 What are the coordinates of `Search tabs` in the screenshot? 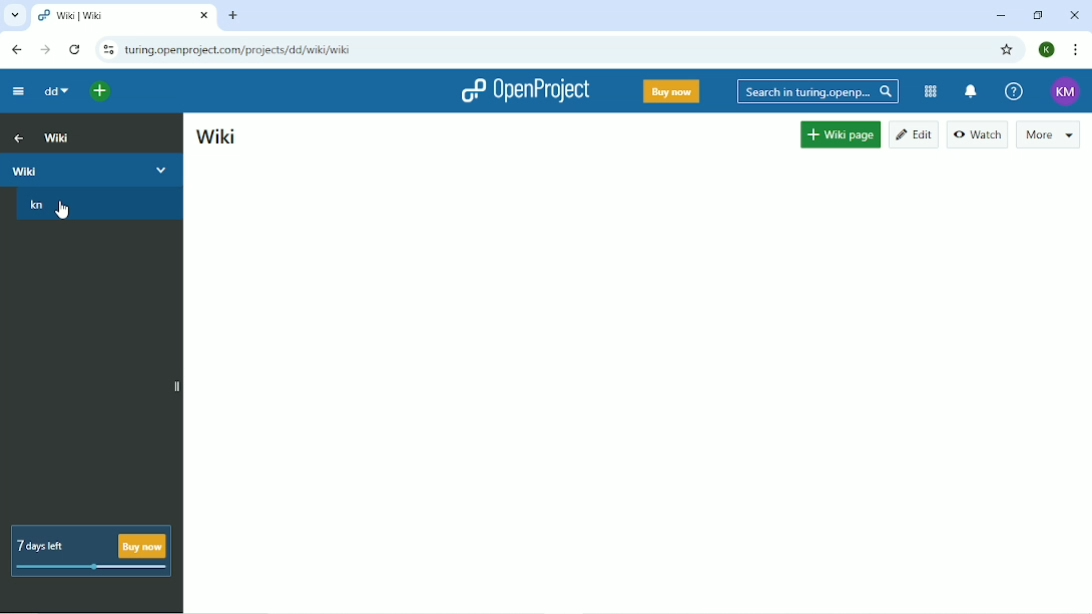 It's located at (16, 16).